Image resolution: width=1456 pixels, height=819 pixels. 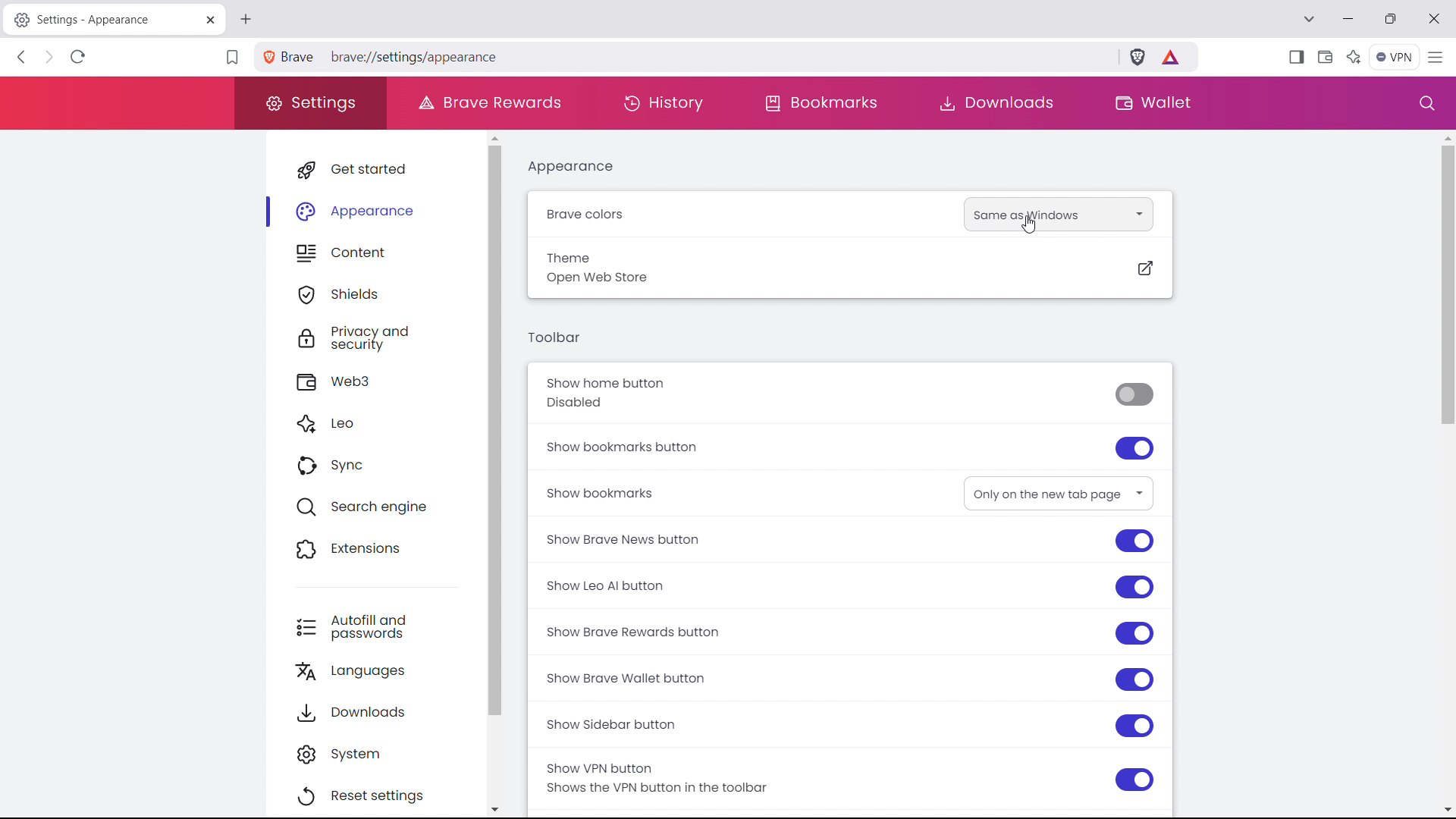 What do you see at coordinates (846, 777) in the screenshot?
I see `show VPN button Shows the VPN button in the toolbar` at bounding box center [846, 777].